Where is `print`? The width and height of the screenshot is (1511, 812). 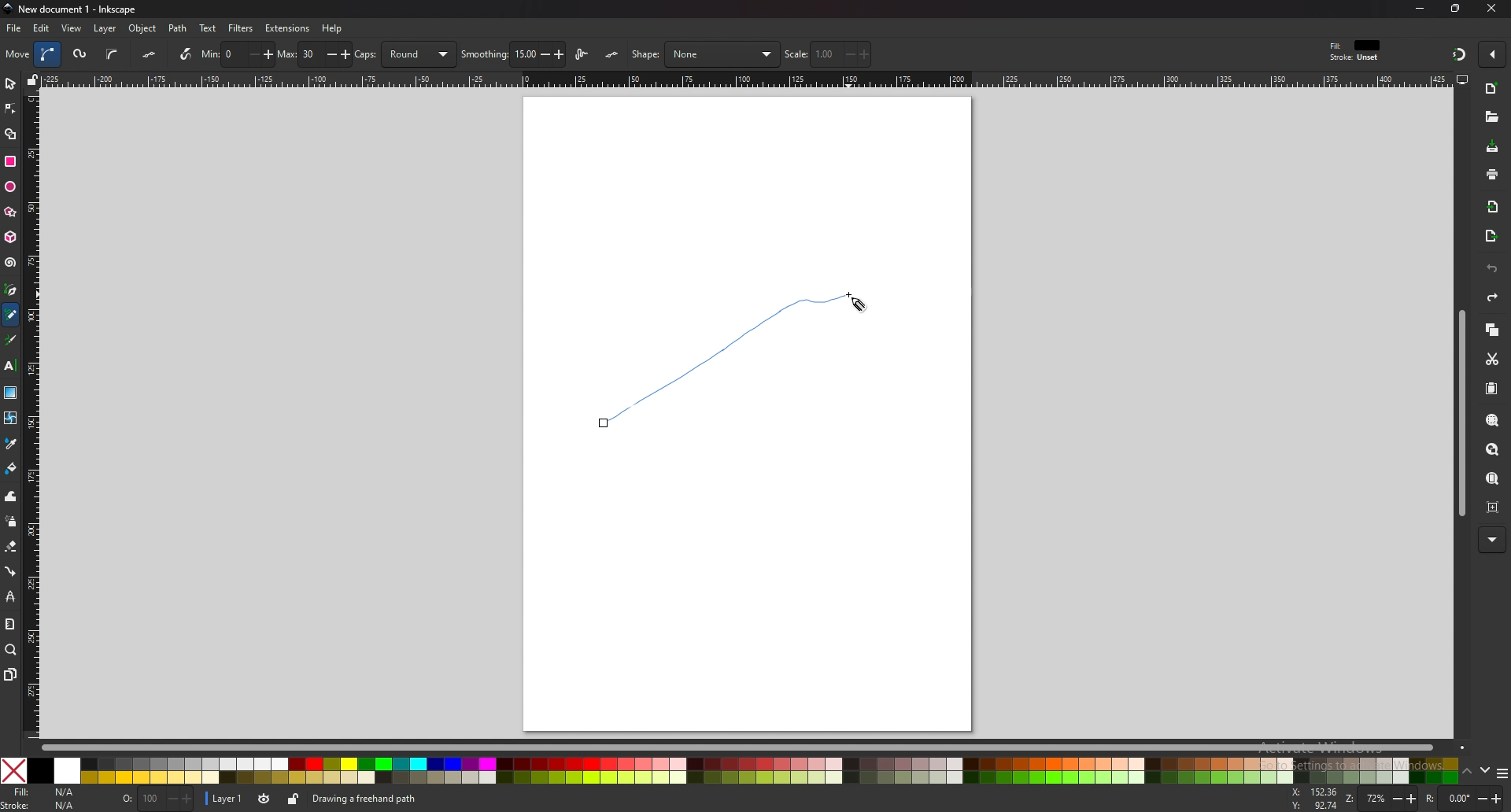 print is located at coordinates (1490, 174).